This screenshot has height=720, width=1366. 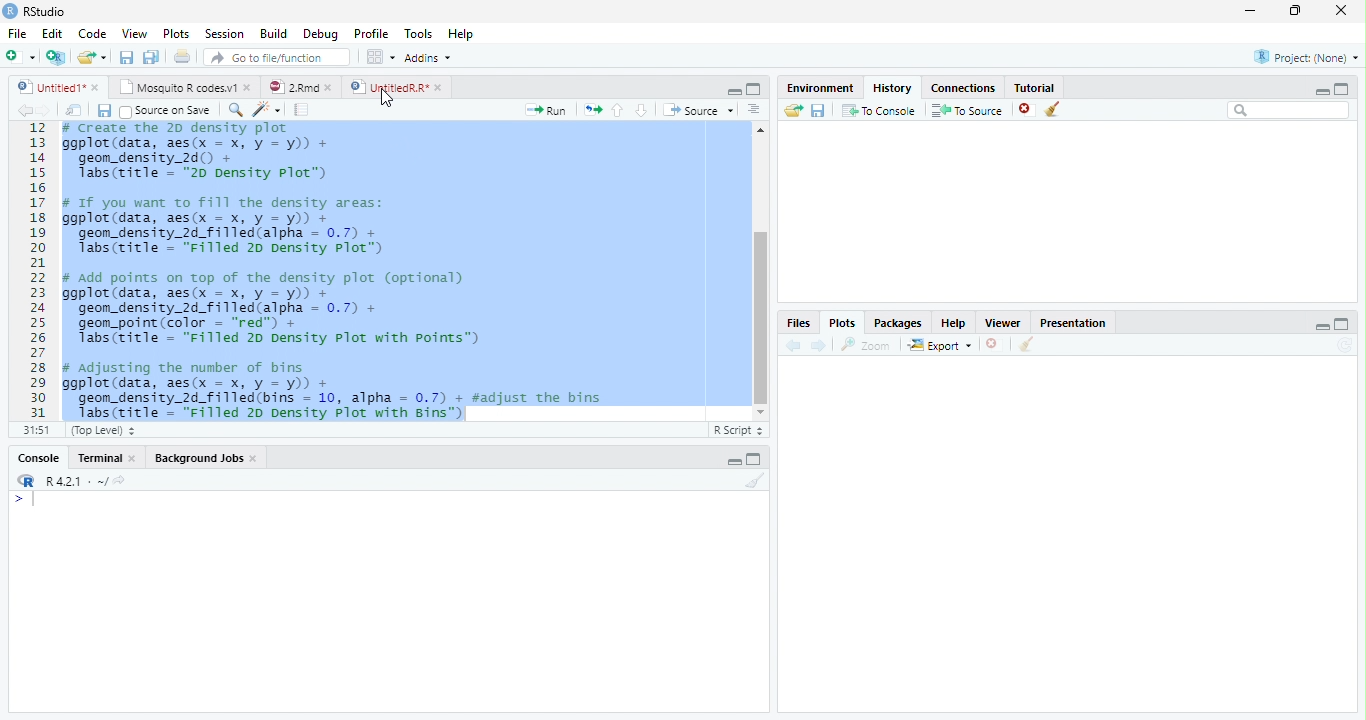 I want to click on UnttiedR Rr”, so click(x=387, y=86).